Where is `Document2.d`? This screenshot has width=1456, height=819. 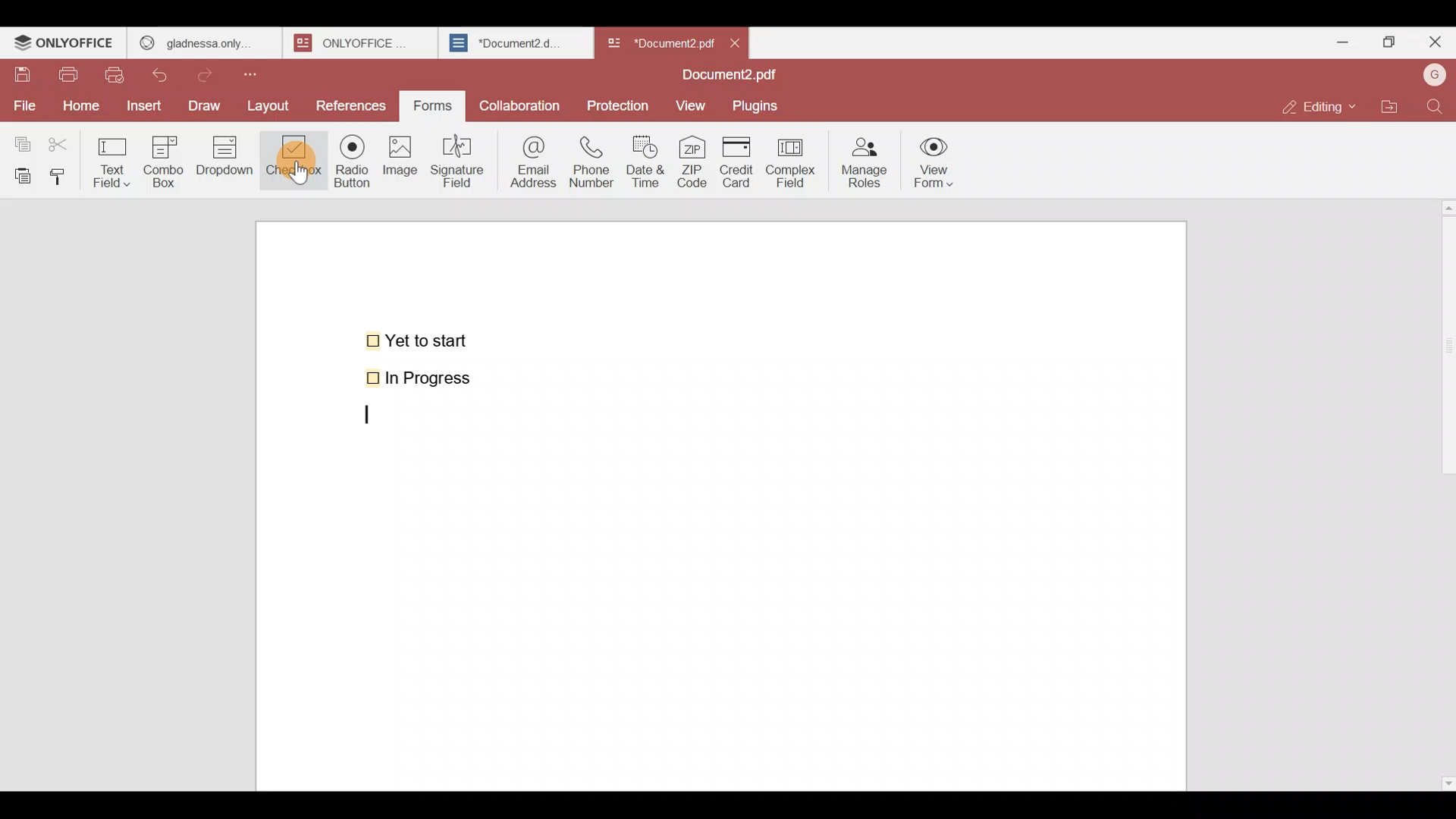
Document2.d is located at coordinates (515, 47).